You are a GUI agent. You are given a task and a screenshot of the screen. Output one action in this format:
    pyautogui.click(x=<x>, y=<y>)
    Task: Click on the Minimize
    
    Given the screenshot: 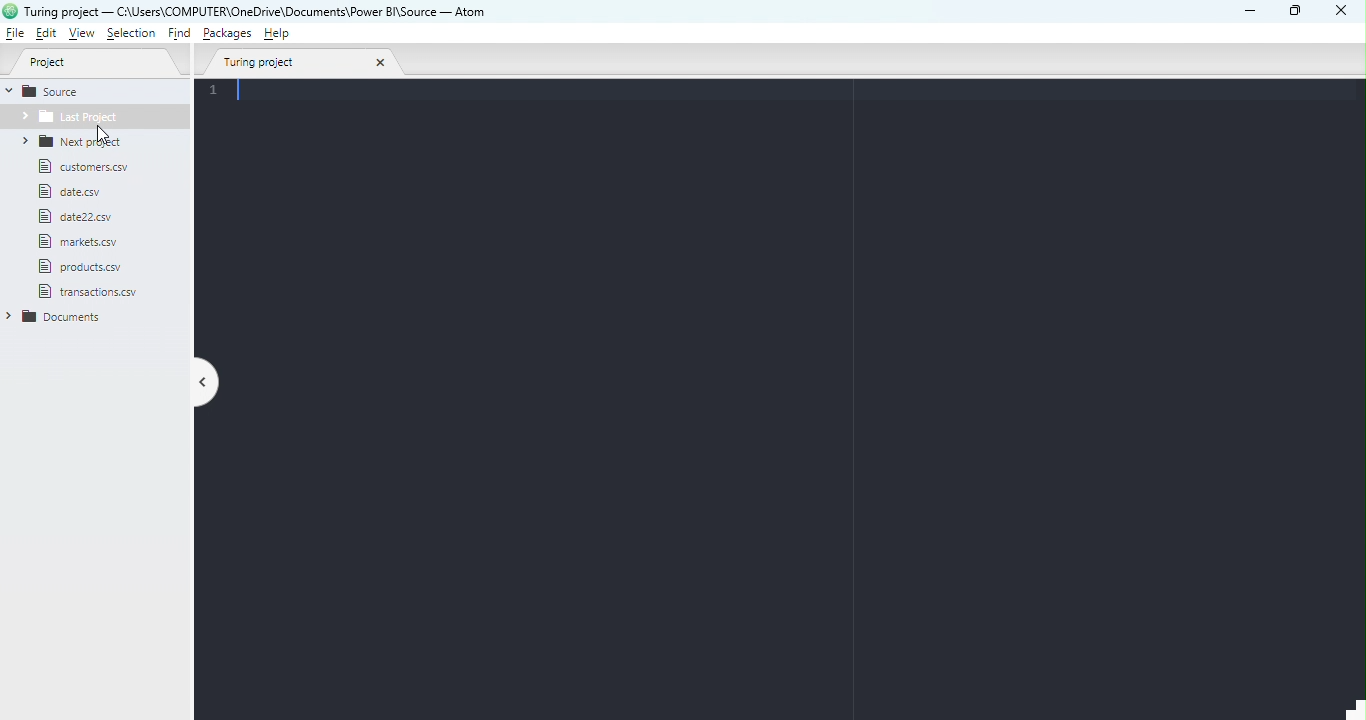 What is the action you would take?
    pyautogui.click(x=1251, y=12)
    